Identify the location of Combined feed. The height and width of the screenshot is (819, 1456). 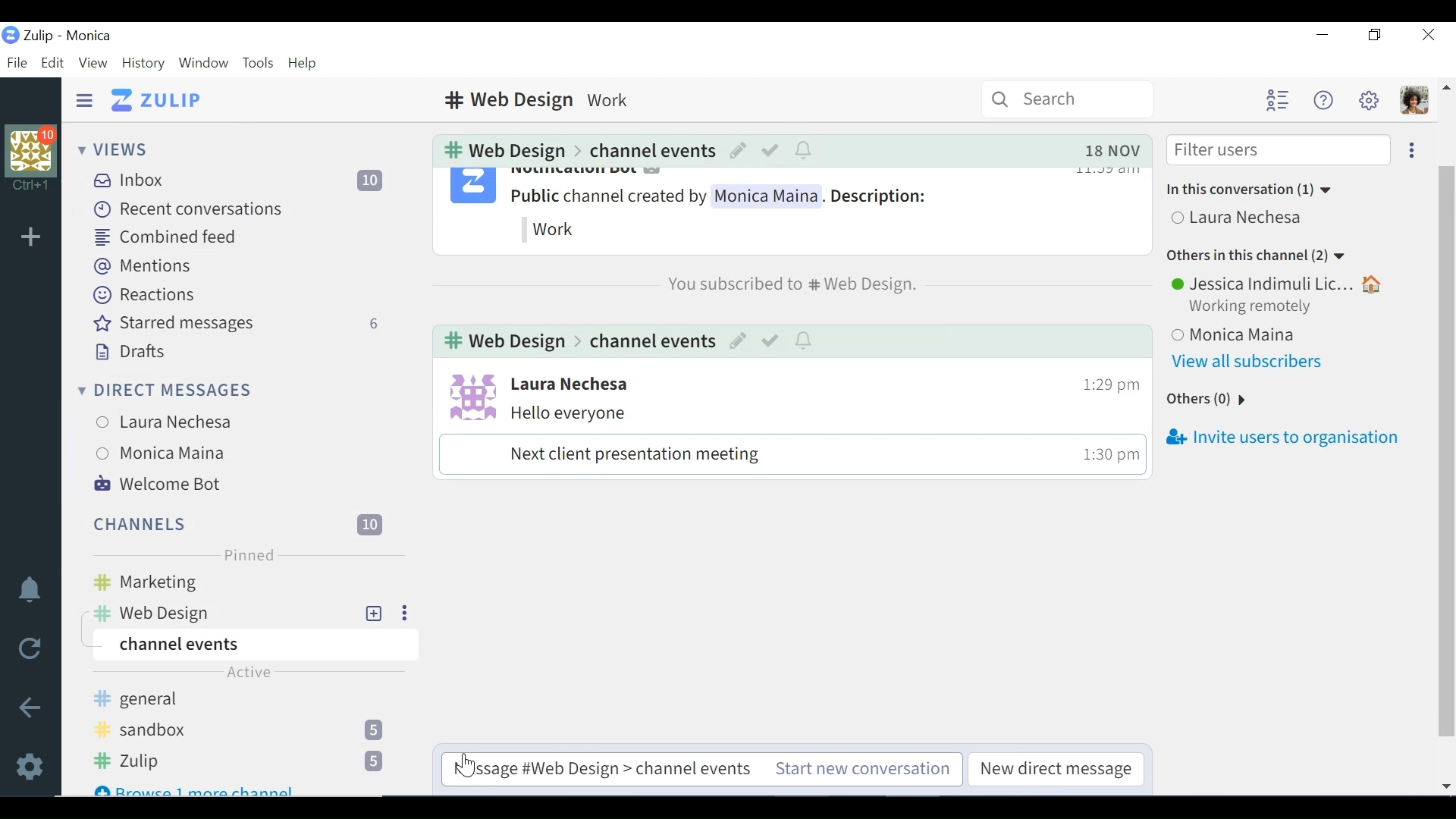
(167, 237).